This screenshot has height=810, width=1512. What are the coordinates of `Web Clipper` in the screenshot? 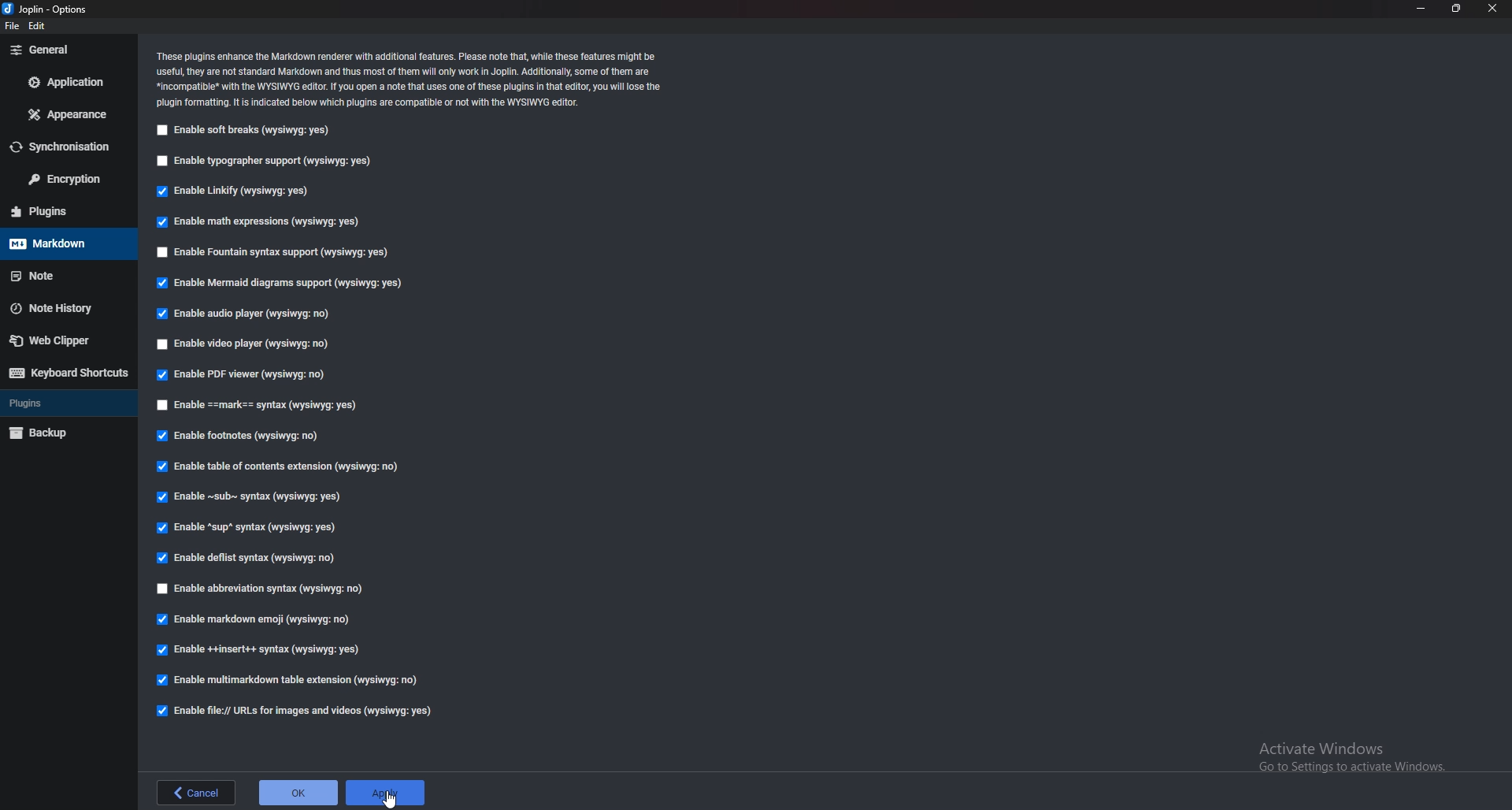 It's located at (61, 340).